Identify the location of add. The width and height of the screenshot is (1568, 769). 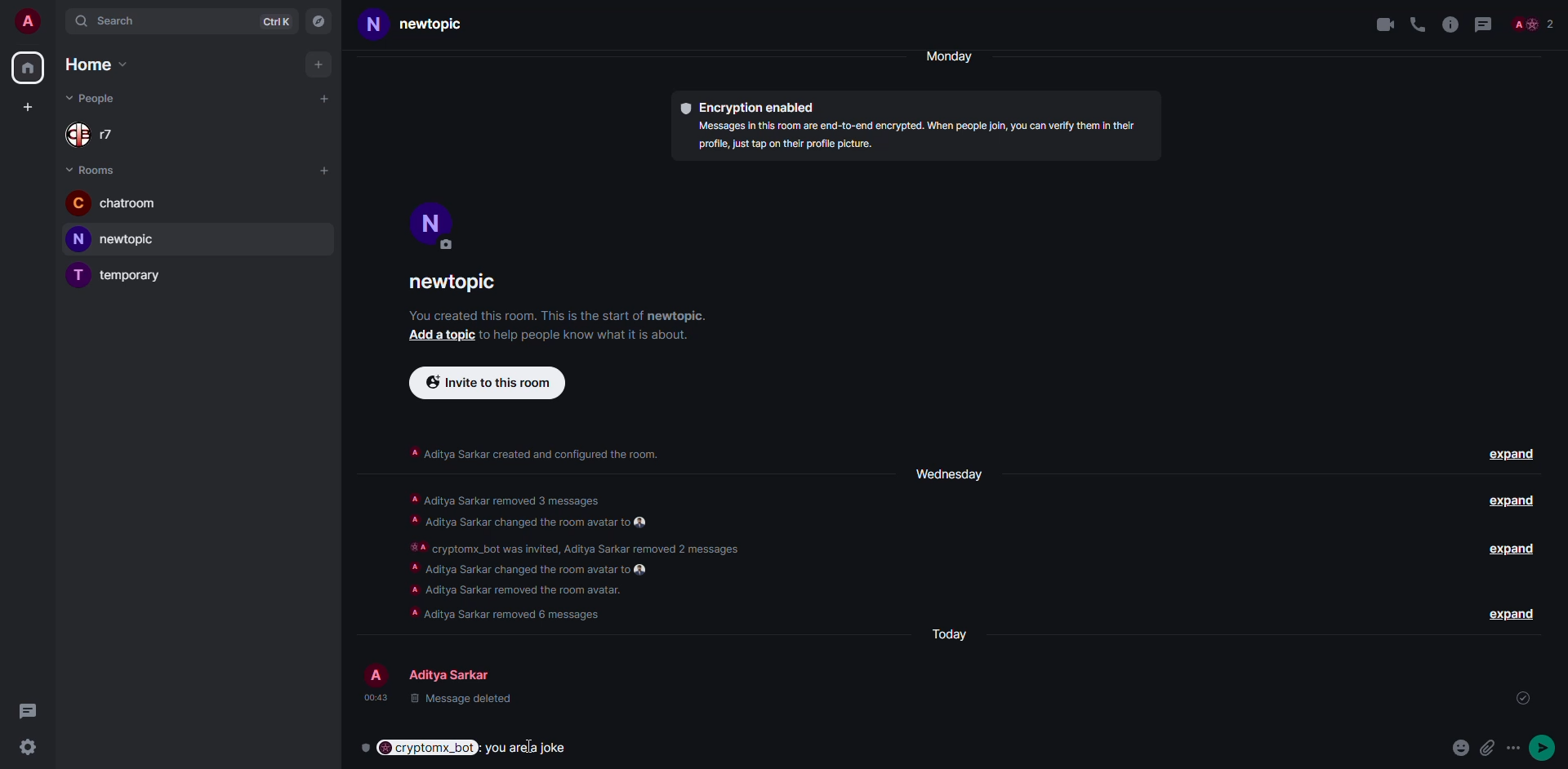
(324, 169).